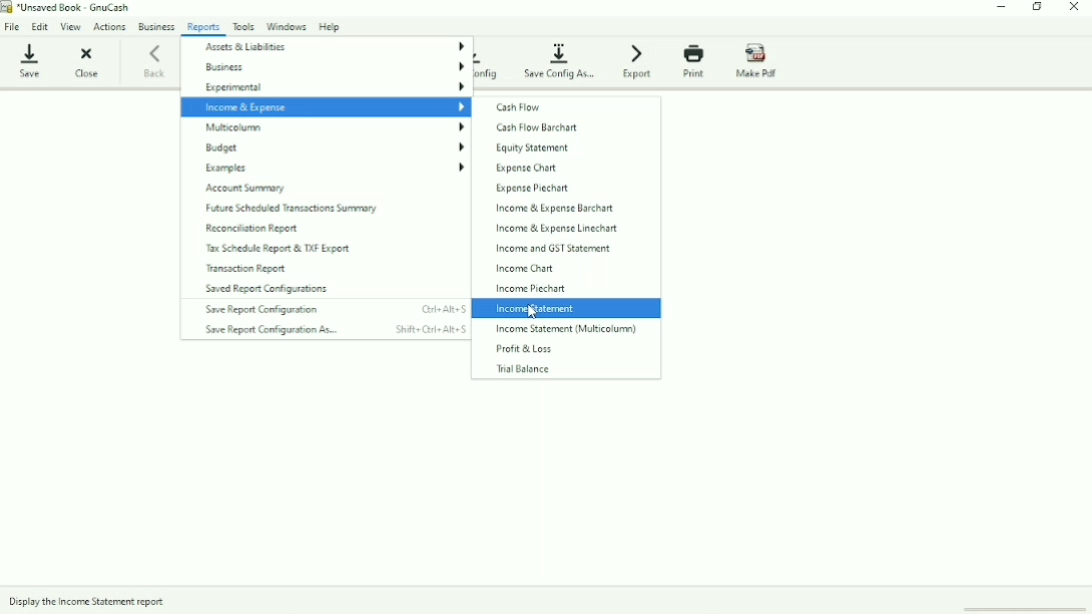  I want to click on Help, so click(331, 26).